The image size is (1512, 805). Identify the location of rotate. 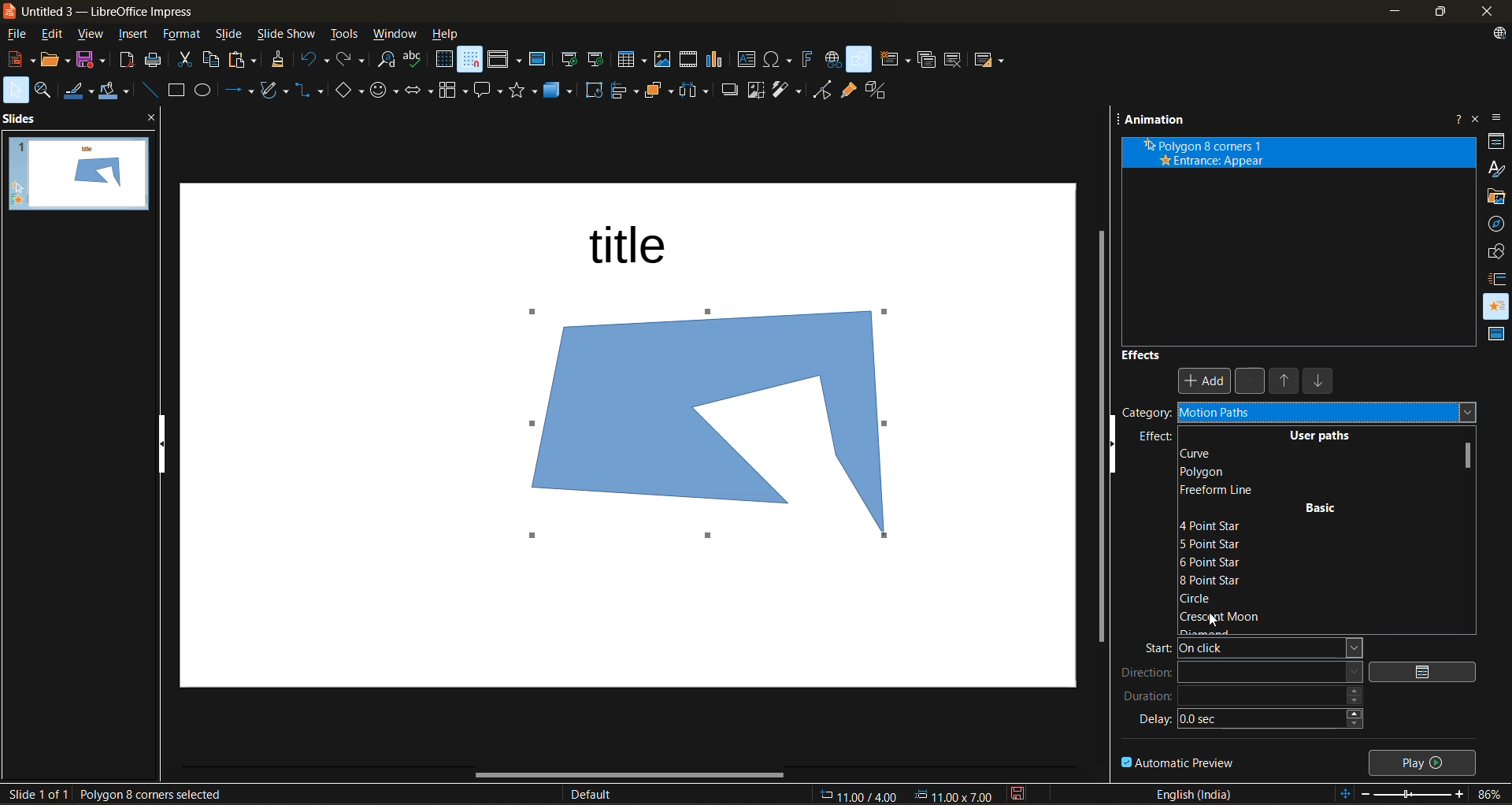
(595, 92).